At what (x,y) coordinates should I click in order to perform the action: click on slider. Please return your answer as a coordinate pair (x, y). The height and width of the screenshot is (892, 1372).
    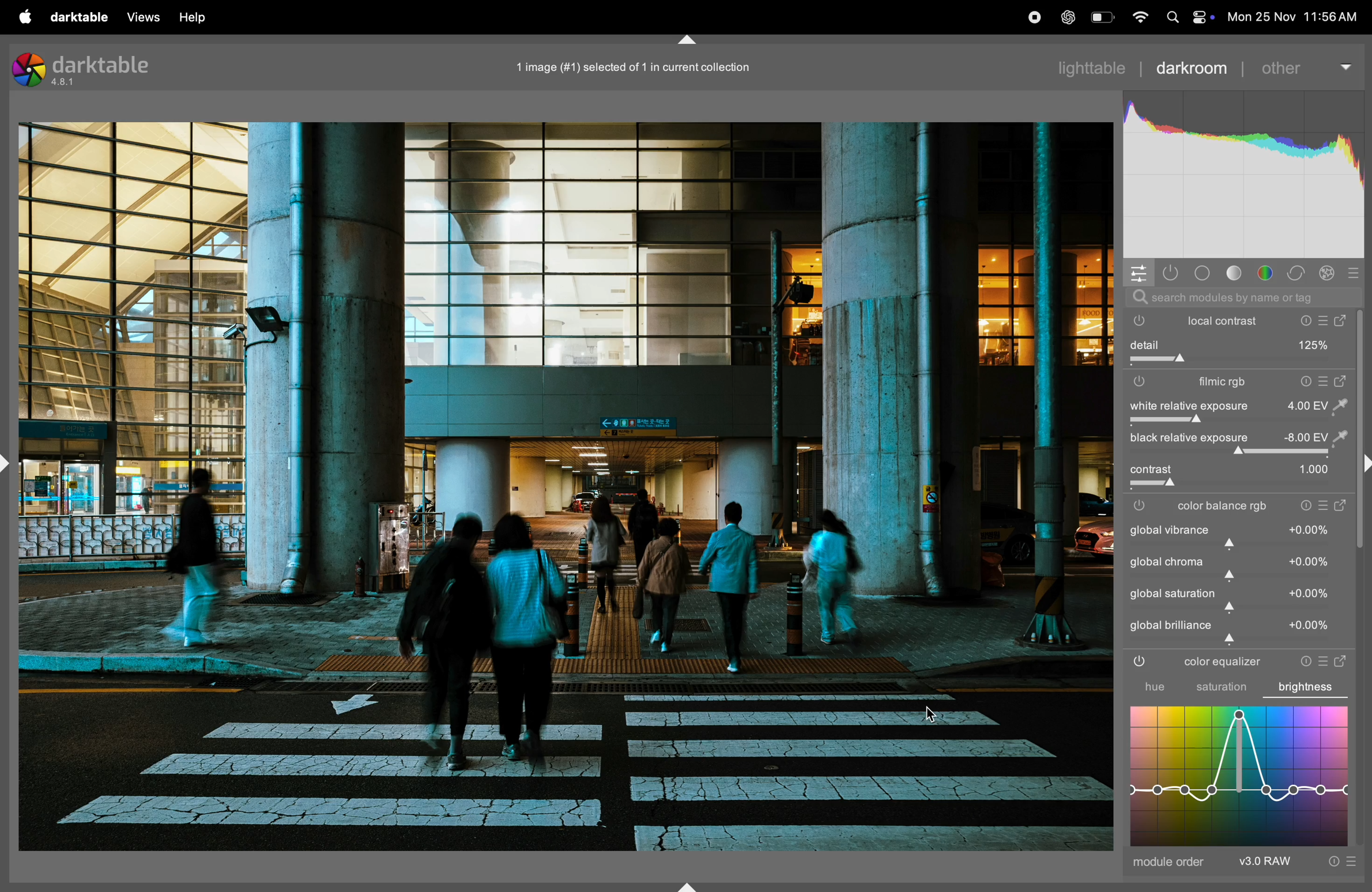
    Looking at the image, I should click on (1240, 421).